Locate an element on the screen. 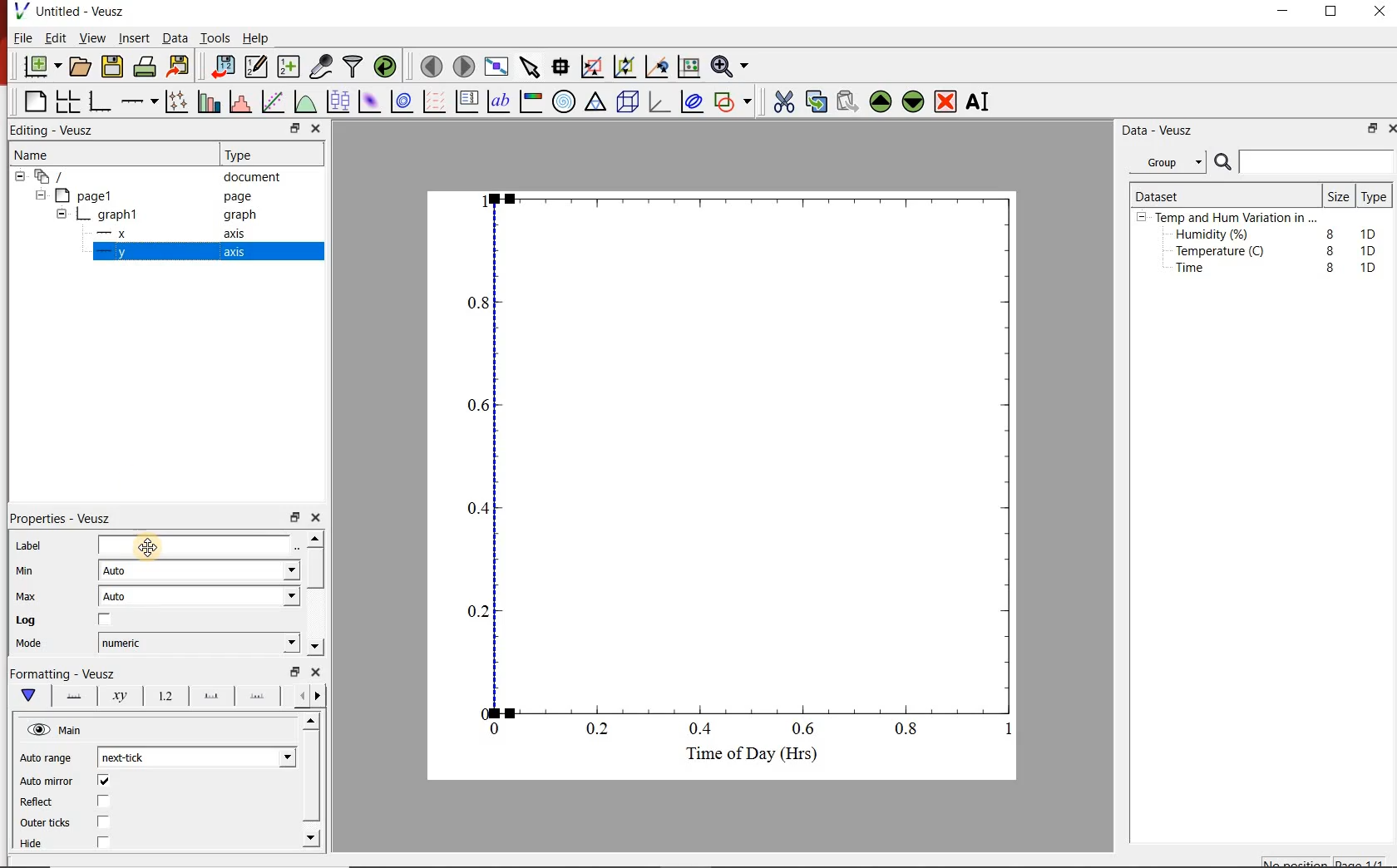 The width and height of the screenshot is (1397, 868). 8 is located at coordinates (1327, 231).